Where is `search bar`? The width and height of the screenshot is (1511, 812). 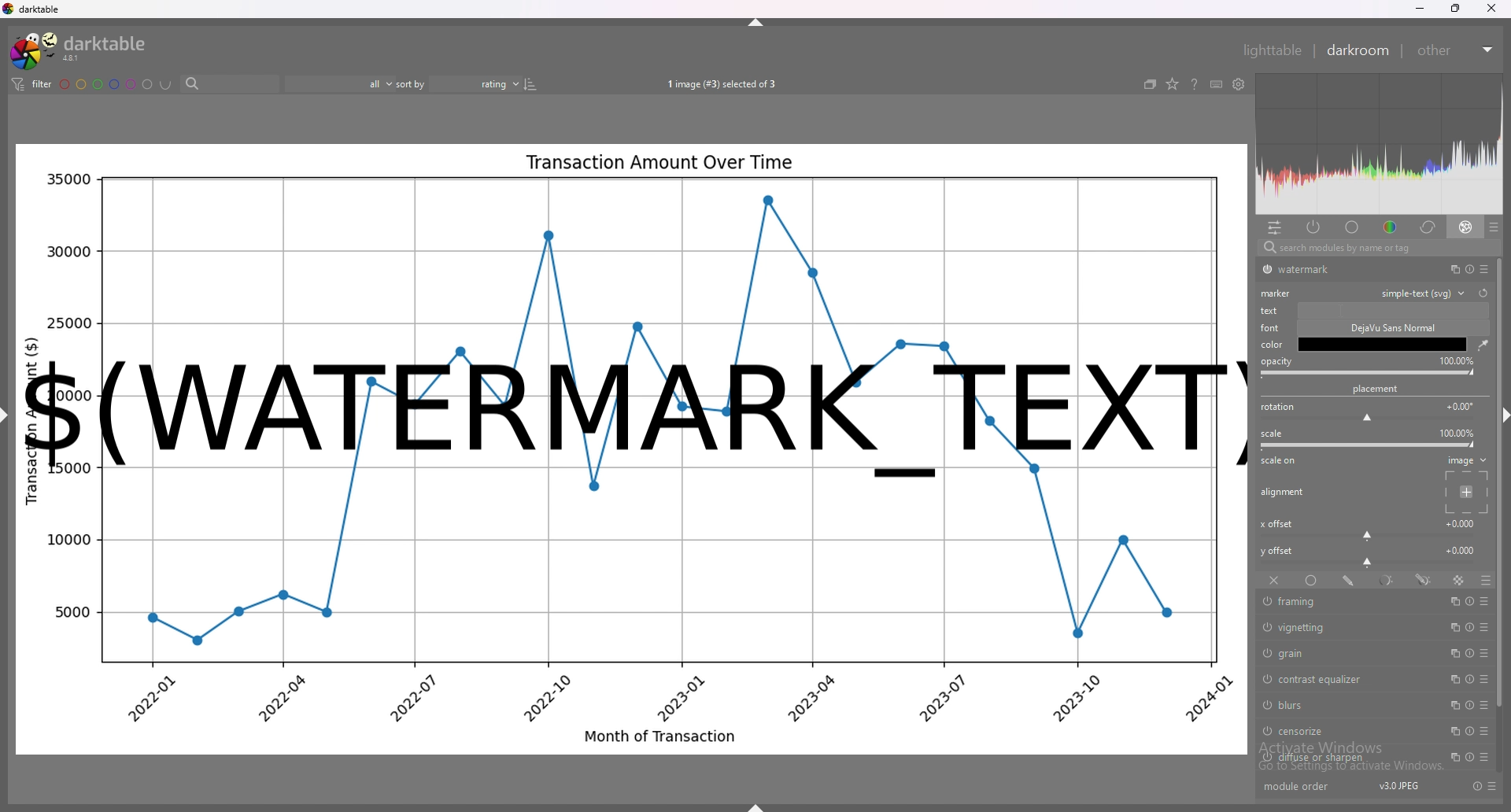 search bar is located at coordinates (226, 85).